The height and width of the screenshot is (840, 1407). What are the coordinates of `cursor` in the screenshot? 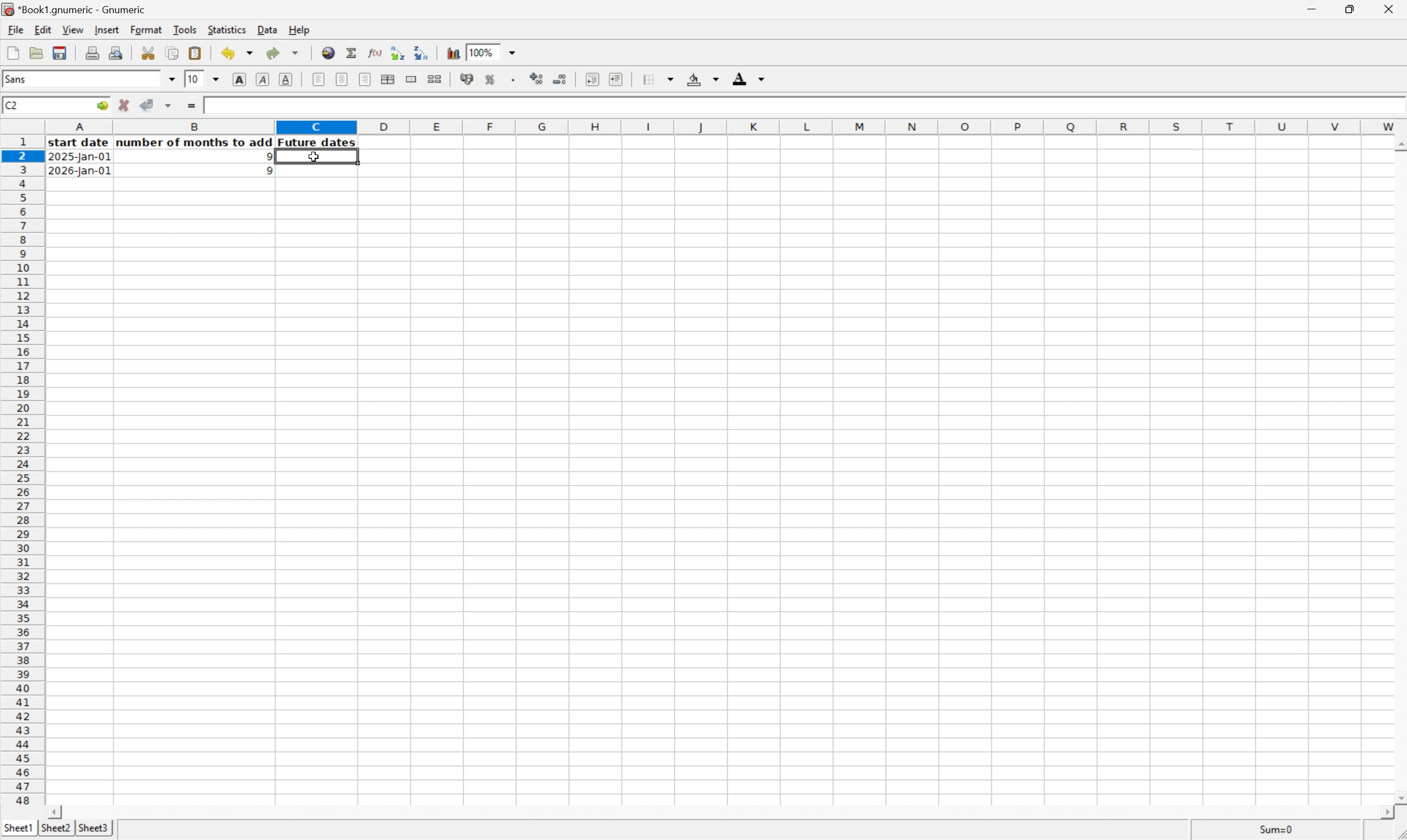 It's located at (313, 158).